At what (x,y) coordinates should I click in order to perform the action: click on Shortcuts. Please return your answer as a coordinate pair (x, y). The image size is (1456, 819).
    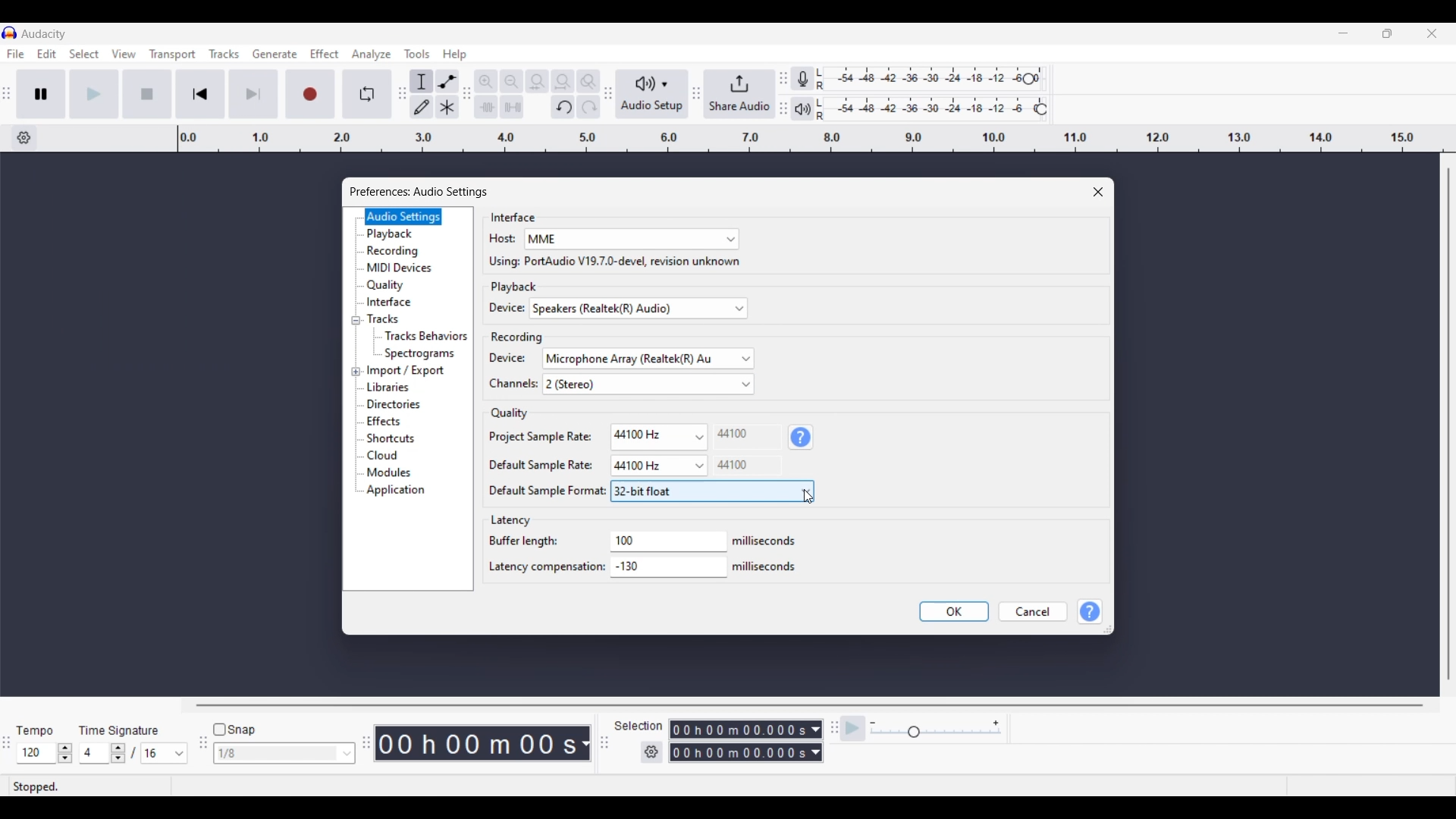
    Looking at the image, I should click on (402, 439).